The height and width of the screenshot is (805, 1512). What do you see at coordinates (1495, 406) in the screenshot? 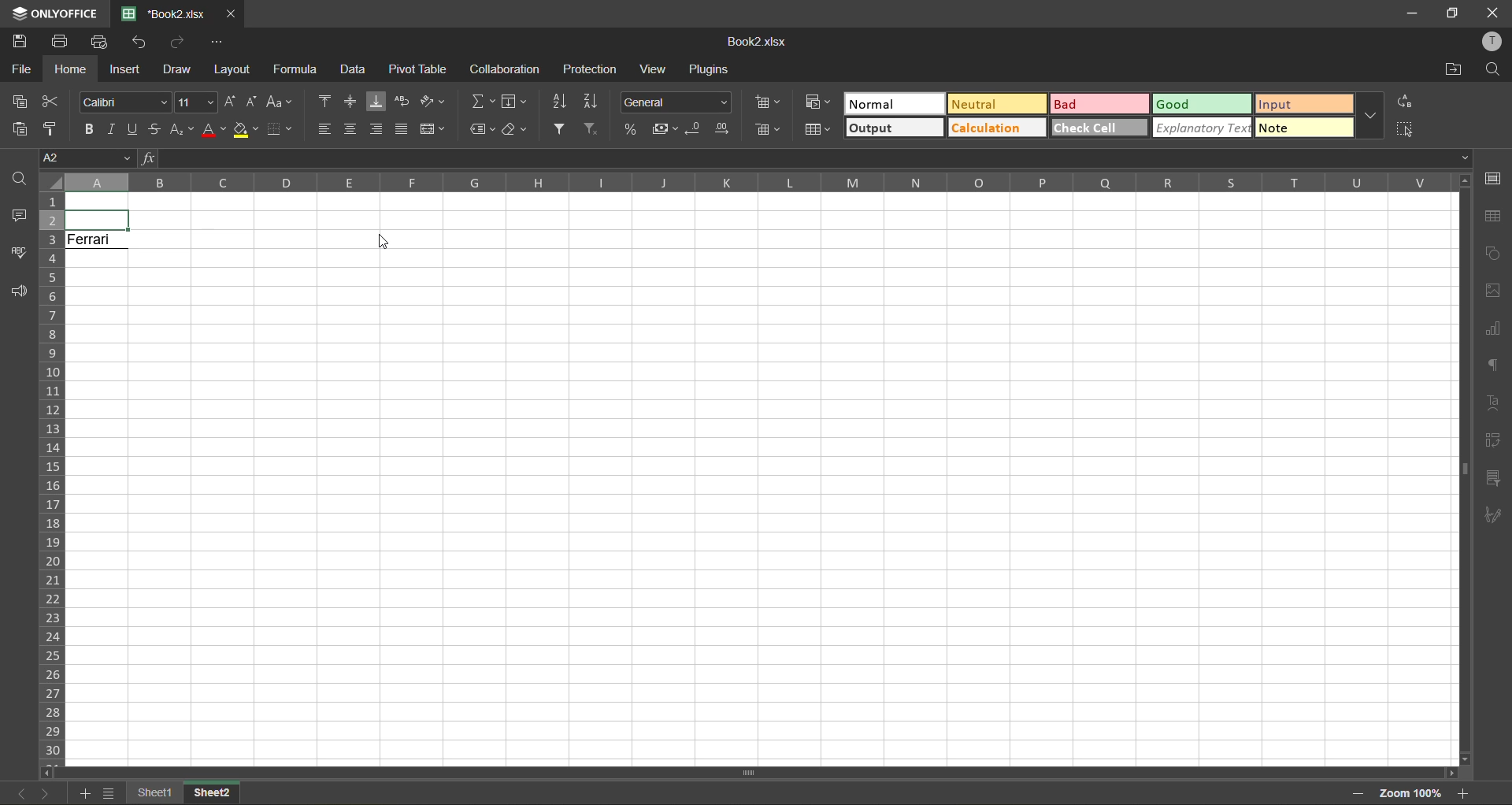
I see `text` at bounding box center [1495, 406].